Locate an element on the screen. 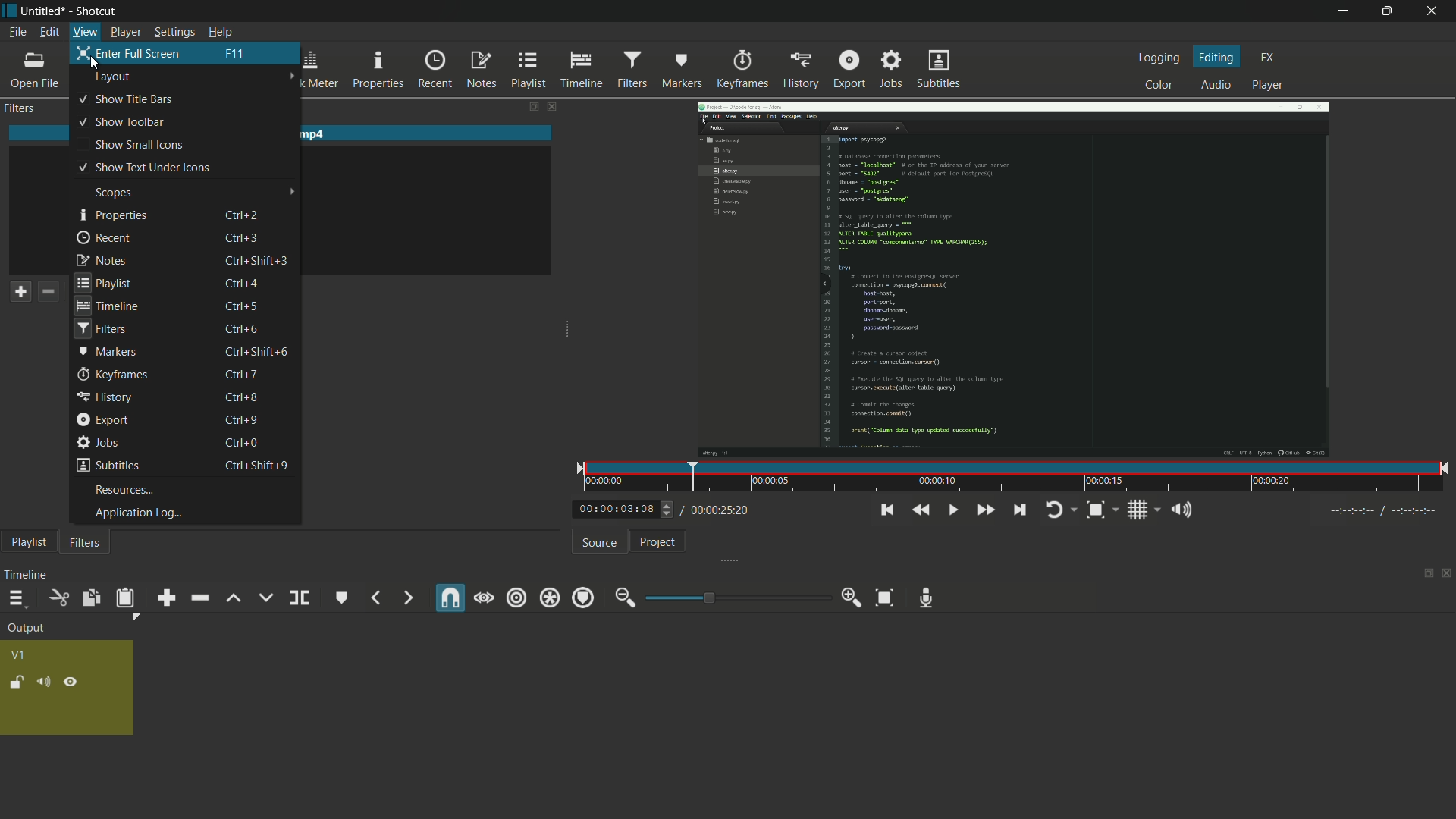 This screenshot has height=819, width=1456. playlist is located at coordinates (527, 69).